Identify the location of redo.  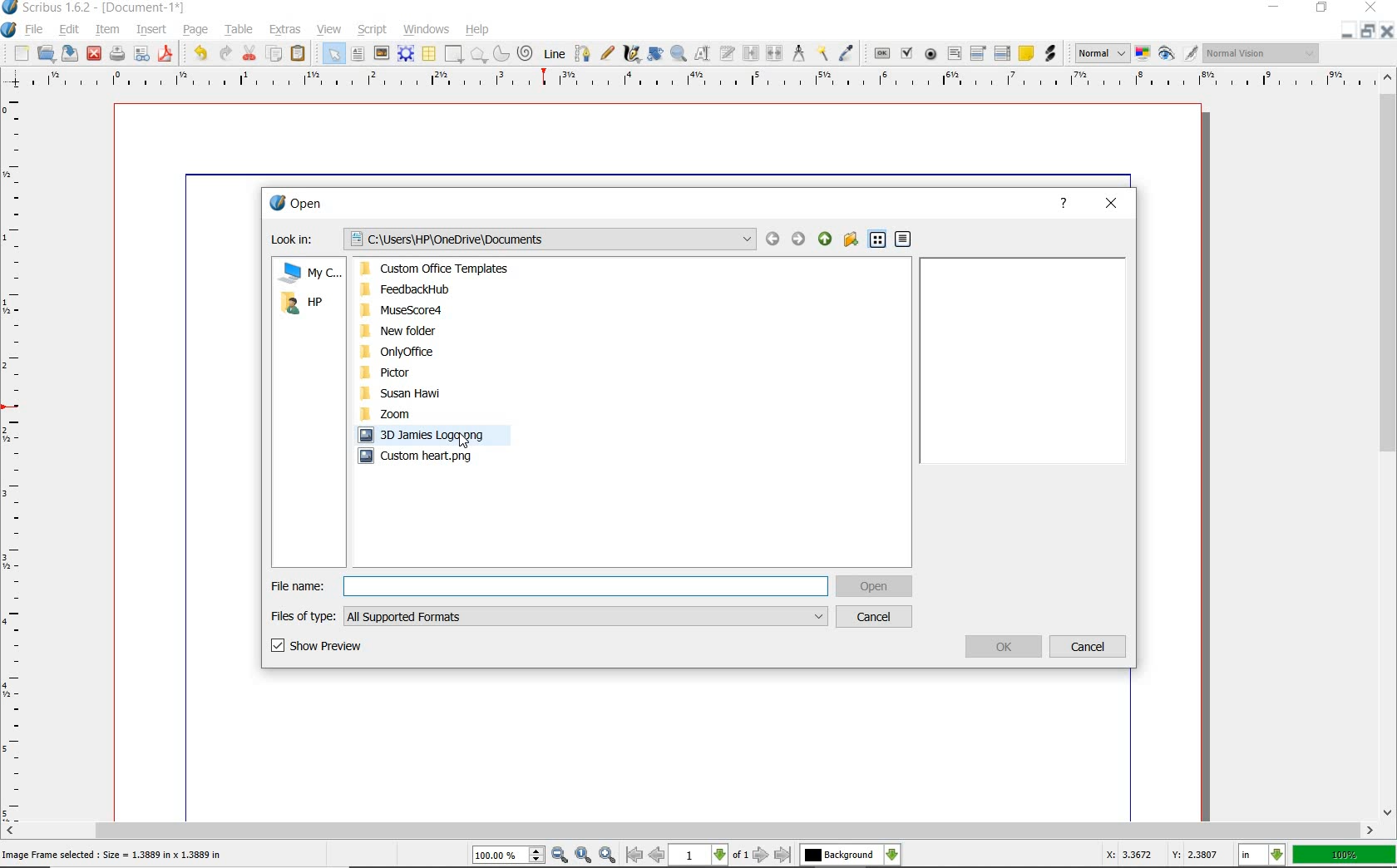
(225, 54).